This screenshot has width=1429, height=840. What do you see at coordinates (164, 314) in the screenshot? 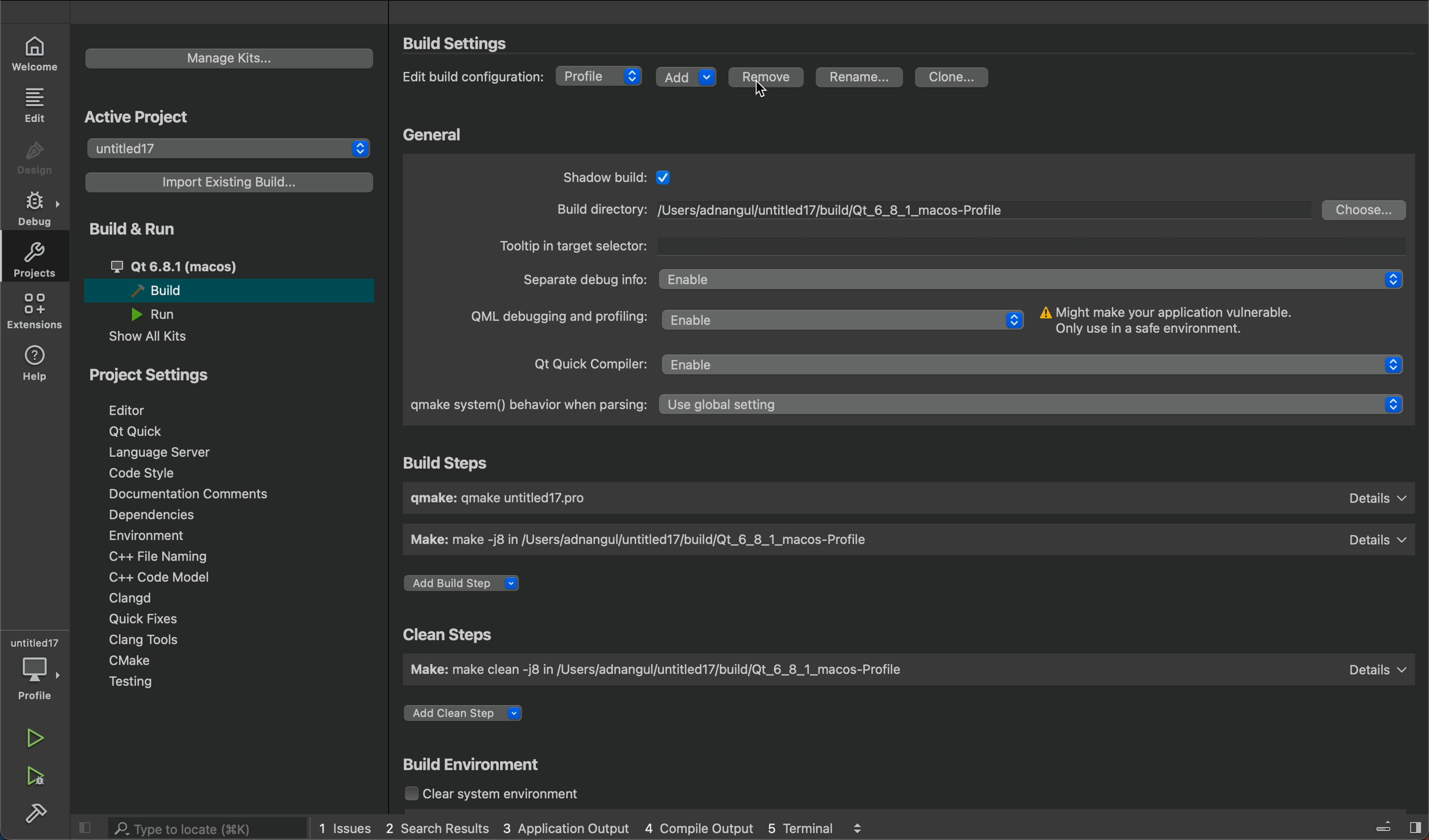
I see `run` at bounding box center [164, 314].